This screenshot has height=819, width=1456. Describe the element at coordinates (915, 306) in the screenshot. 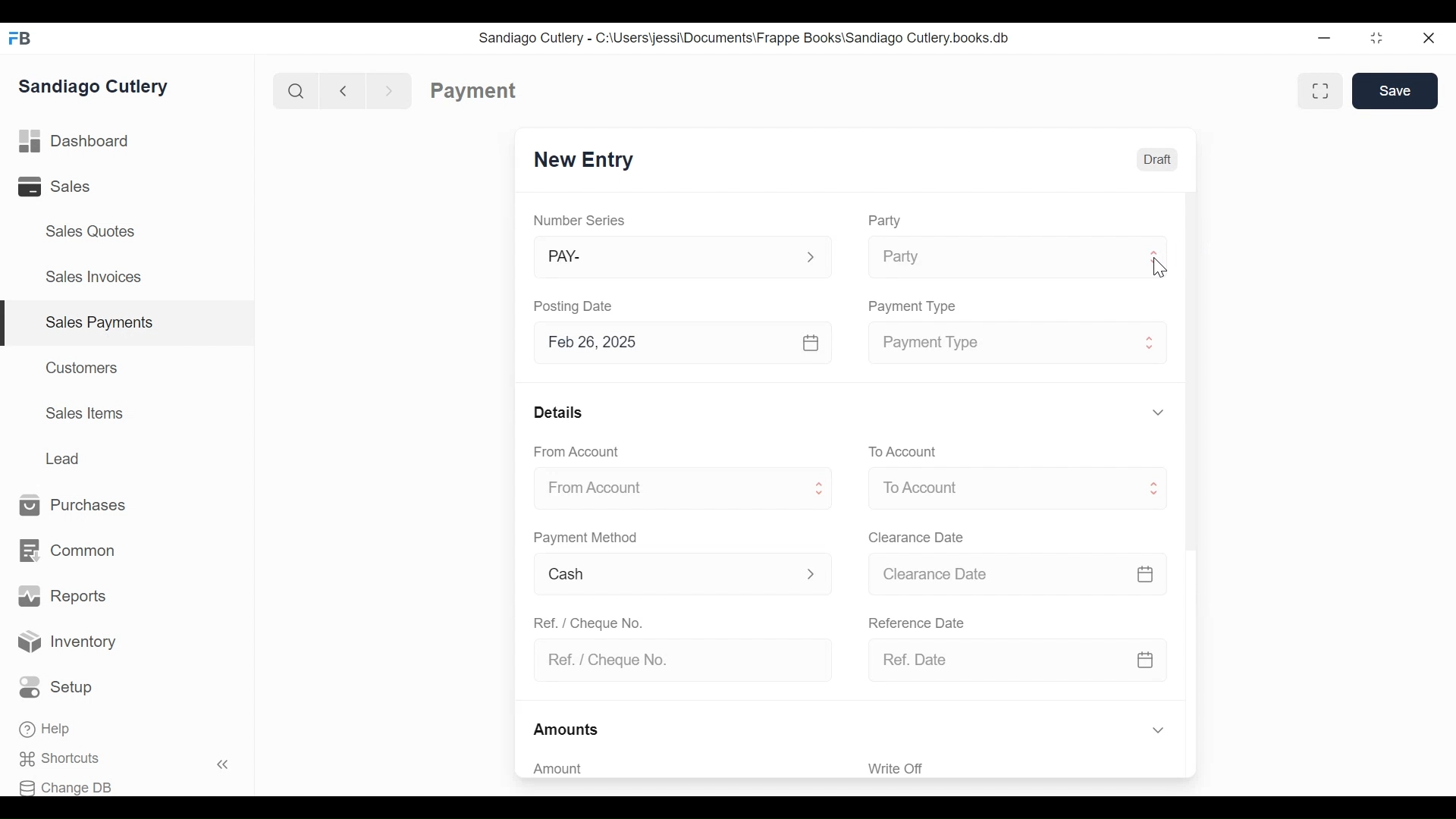

I see `Payment Type` at that location.